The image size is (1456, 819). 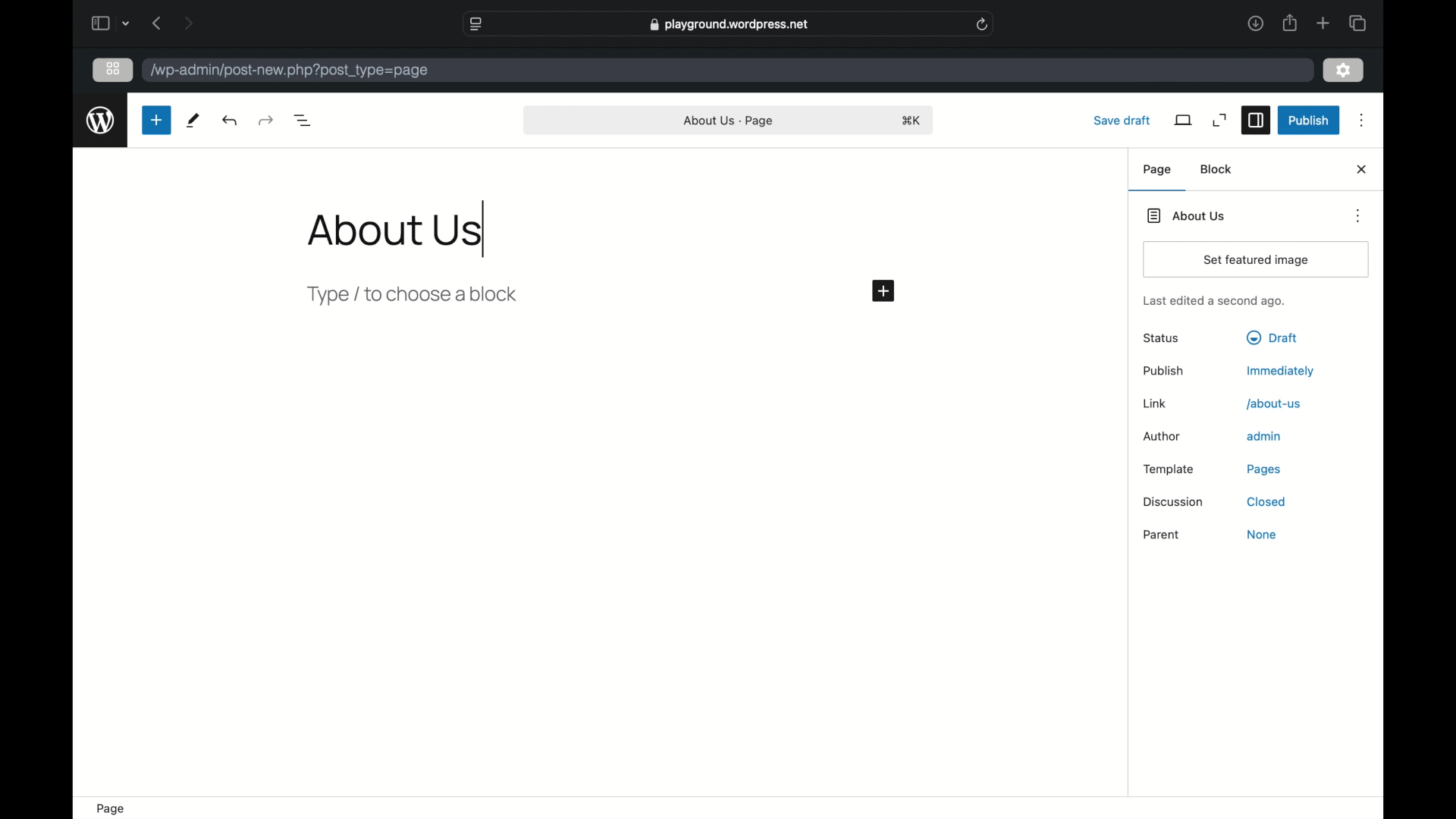 I want to click on link, so click(x=1155, y=403).